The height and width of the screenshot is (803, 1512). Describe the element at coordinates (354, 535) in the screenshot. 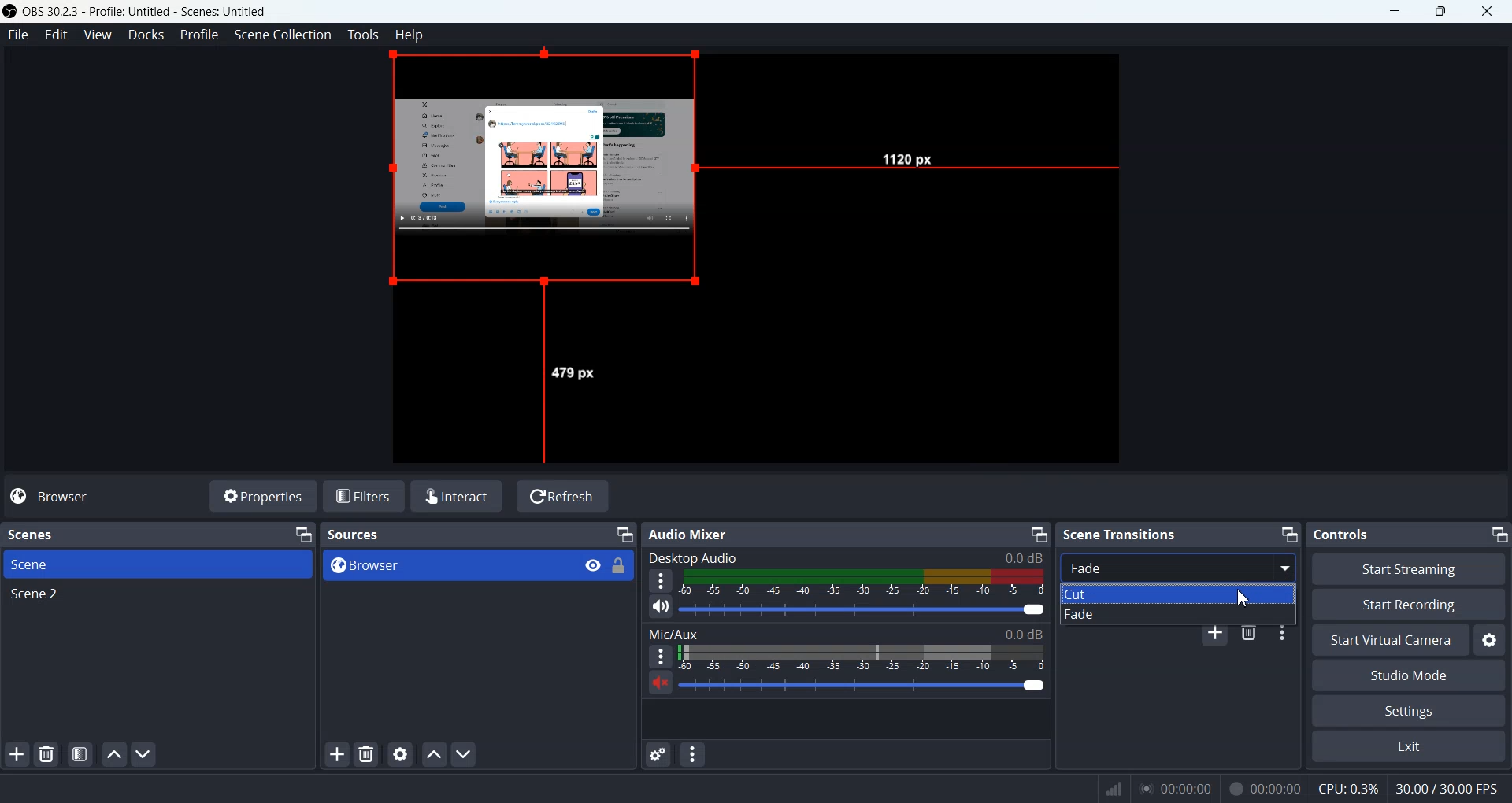

I see `Text` at that location.